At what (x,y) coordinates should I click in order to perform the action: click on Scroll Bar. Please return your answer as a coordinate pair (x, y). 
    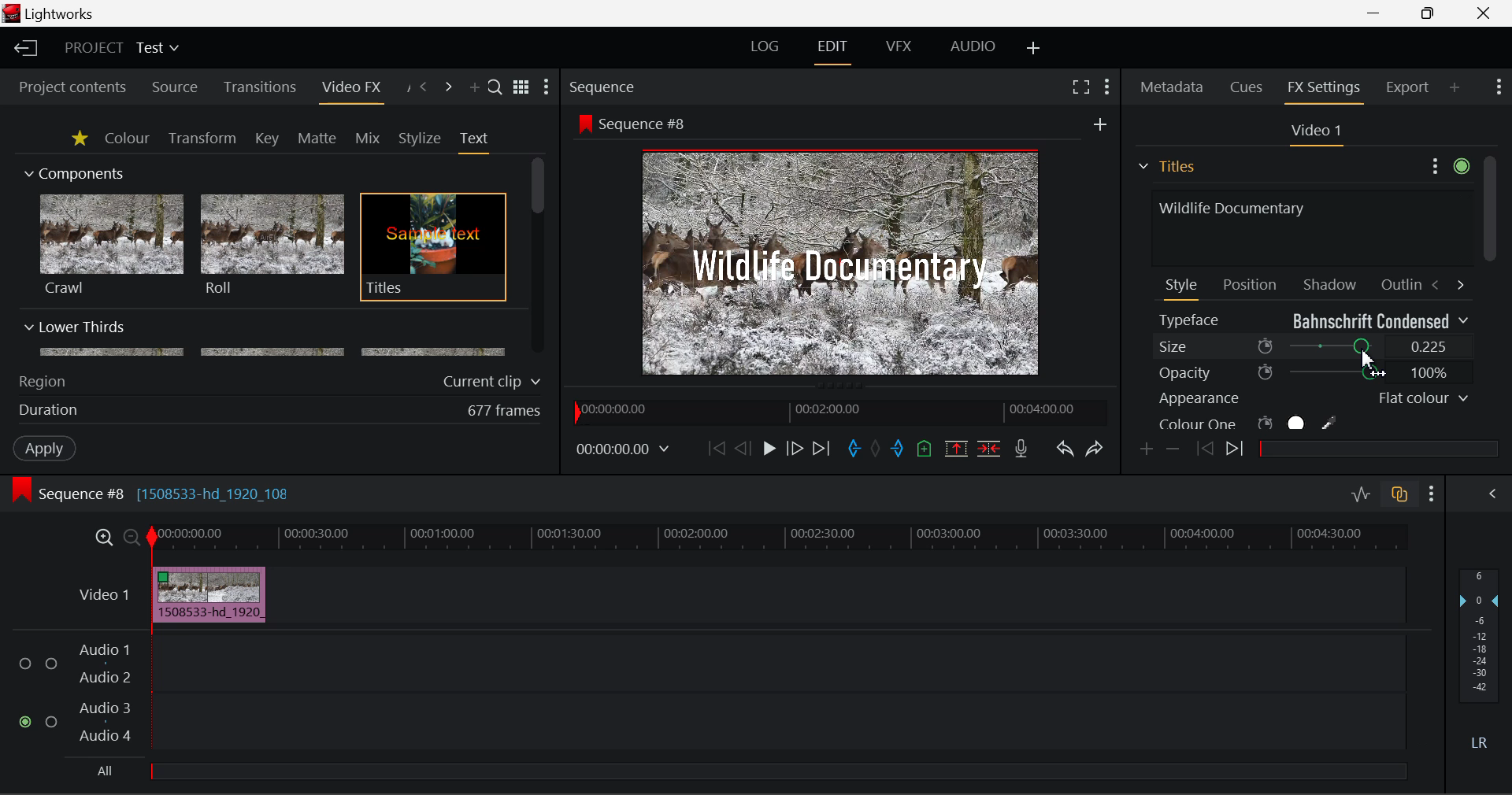
    Looking at the image, I should click on (539, 257).